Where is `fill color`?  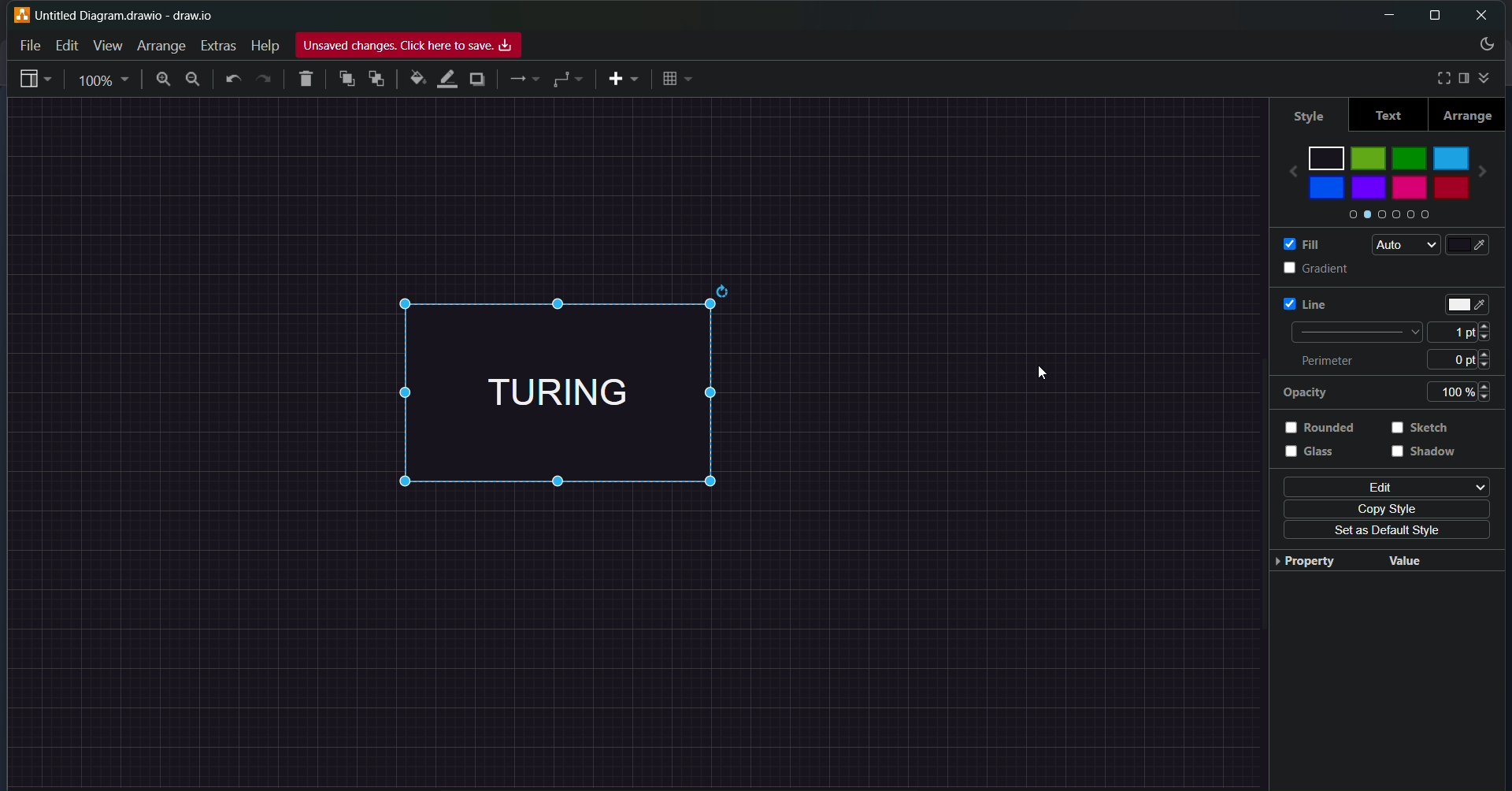
fill color is located at coordinates (415, 79).